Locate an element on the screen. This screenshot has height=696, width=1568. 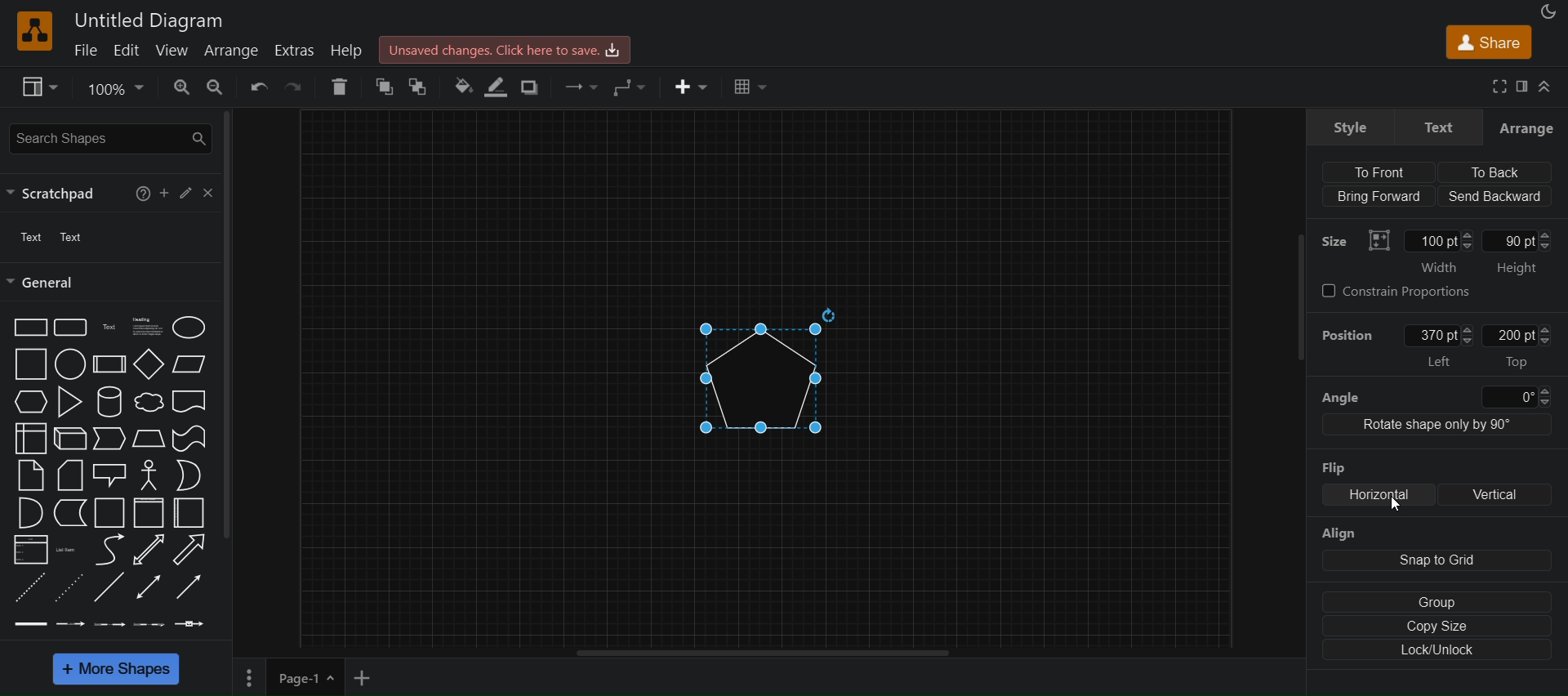
group is located at coordinates (1437, 602).